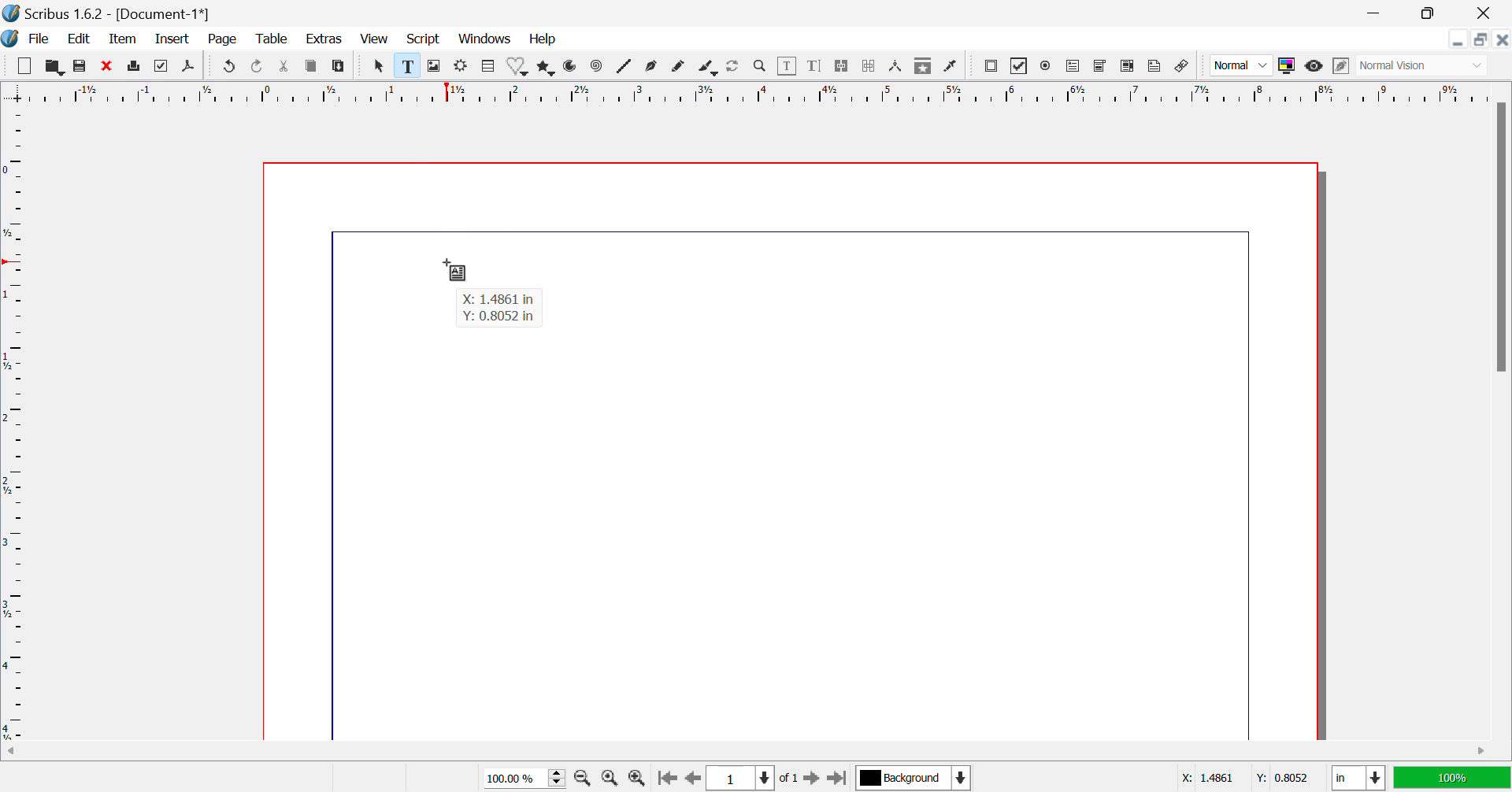  Describe the element at coordinates (813, 777) in the screenshot. I see `Next Page` at that location.